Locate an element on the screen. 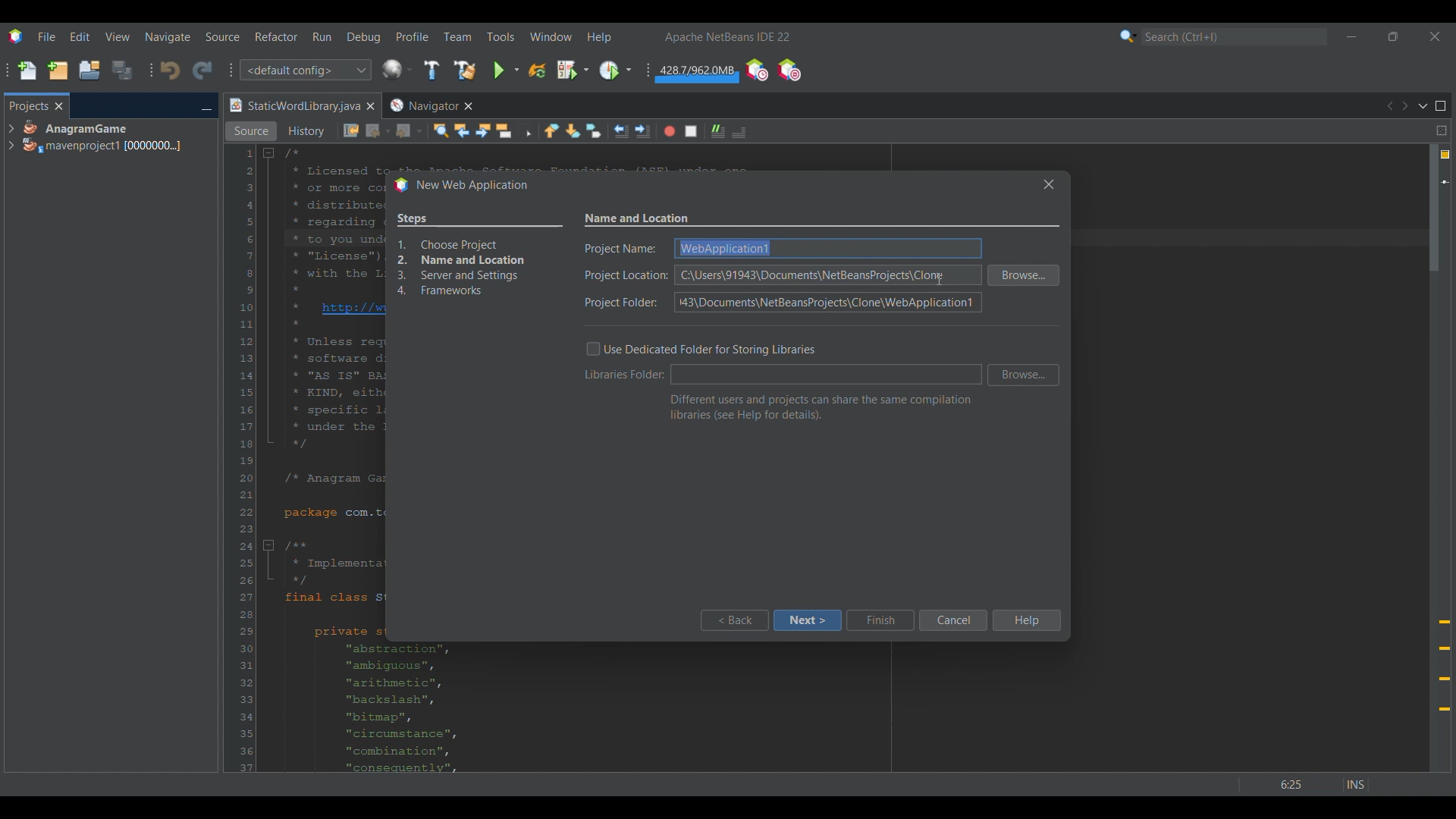 The height and width of the screenshot is (819, 1456). Toggle for dedicated folder is located at coordinates (701, 349).